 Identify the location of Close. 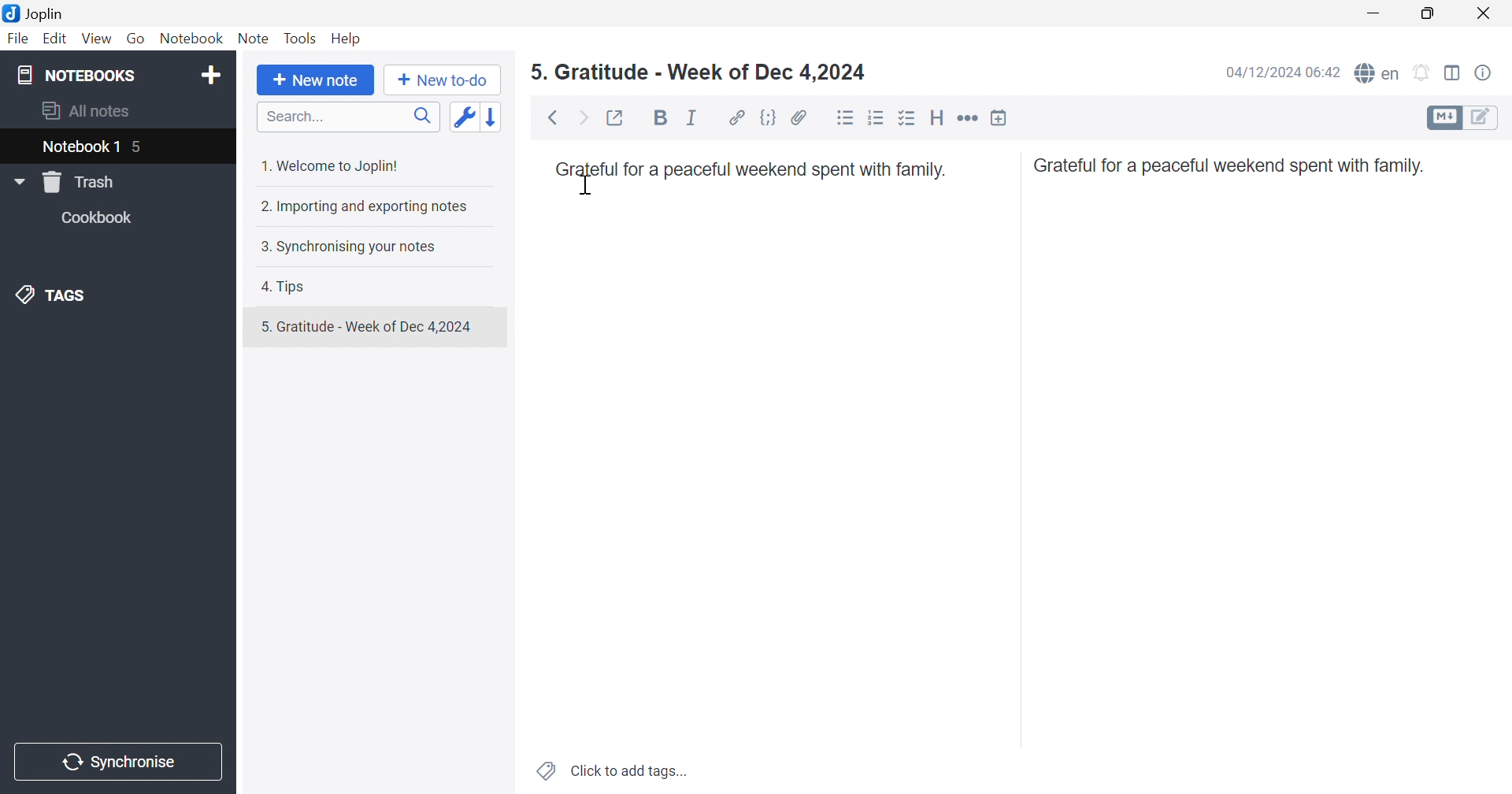
(1488, 12).